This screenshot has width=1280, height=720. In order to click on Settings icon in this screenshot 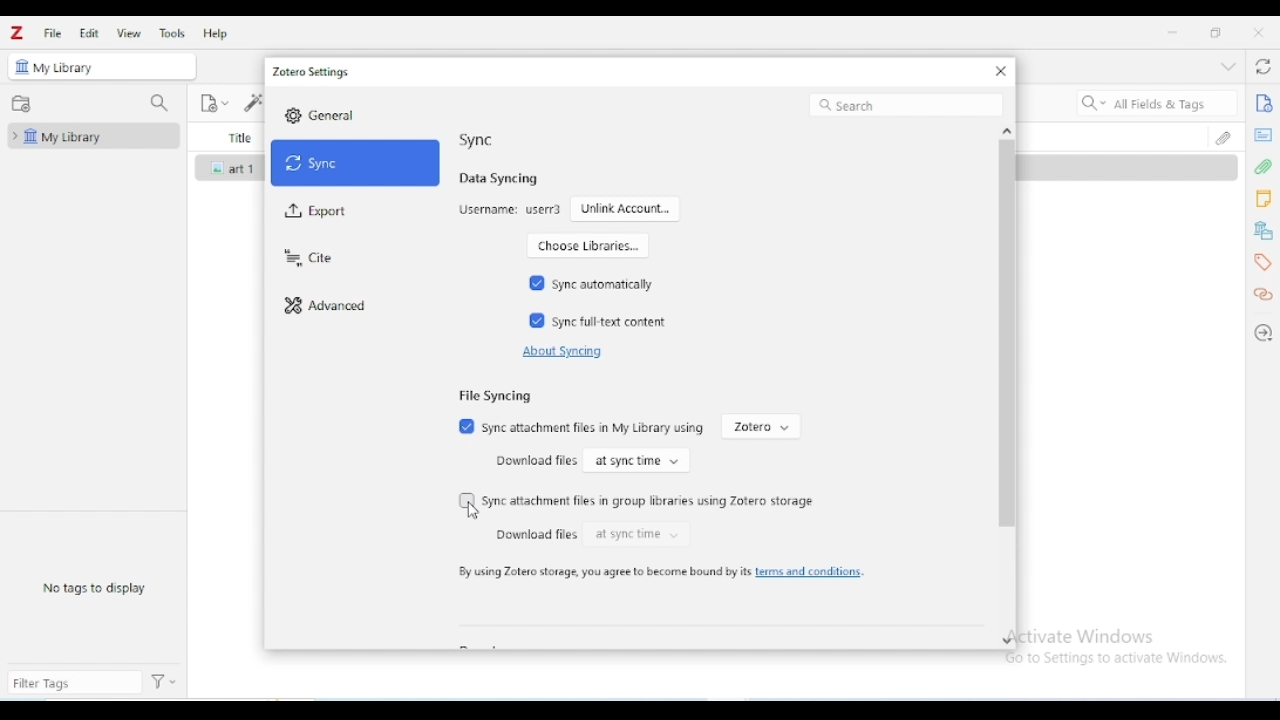, I will do `click(293, 115)`.